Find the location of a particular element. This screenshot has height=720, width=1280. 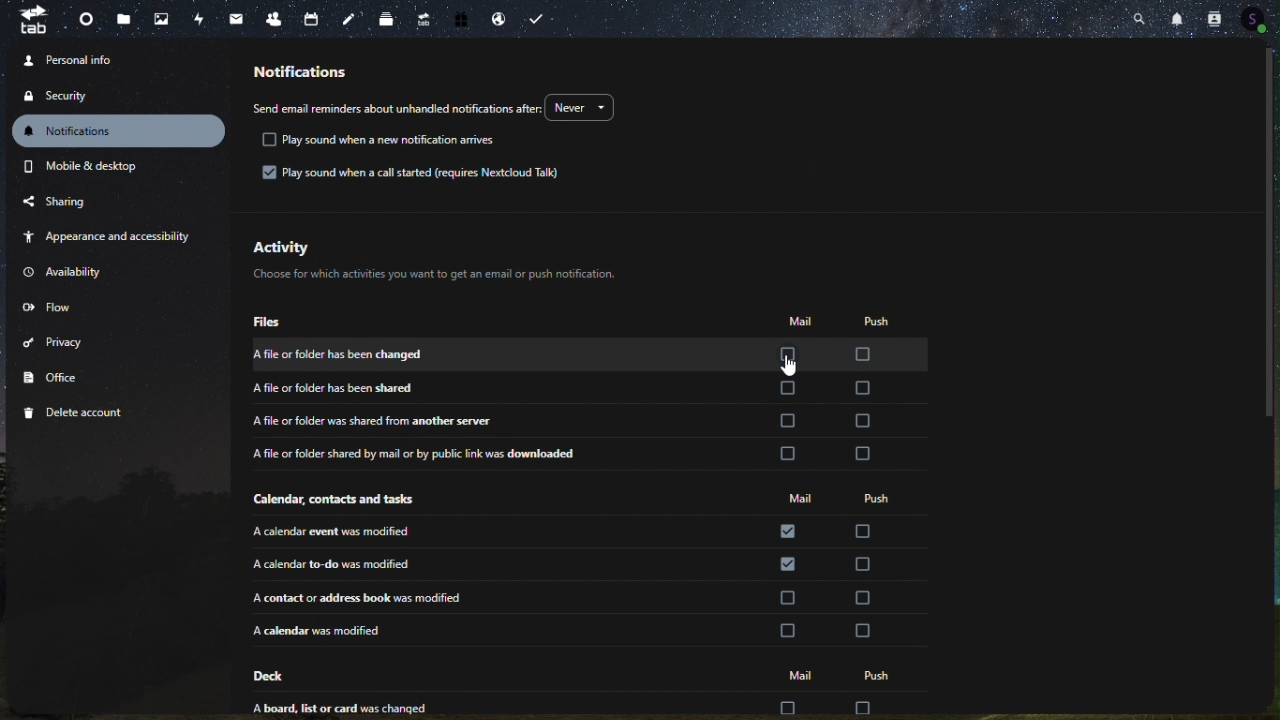

check box is located at coordinates (788, 419).